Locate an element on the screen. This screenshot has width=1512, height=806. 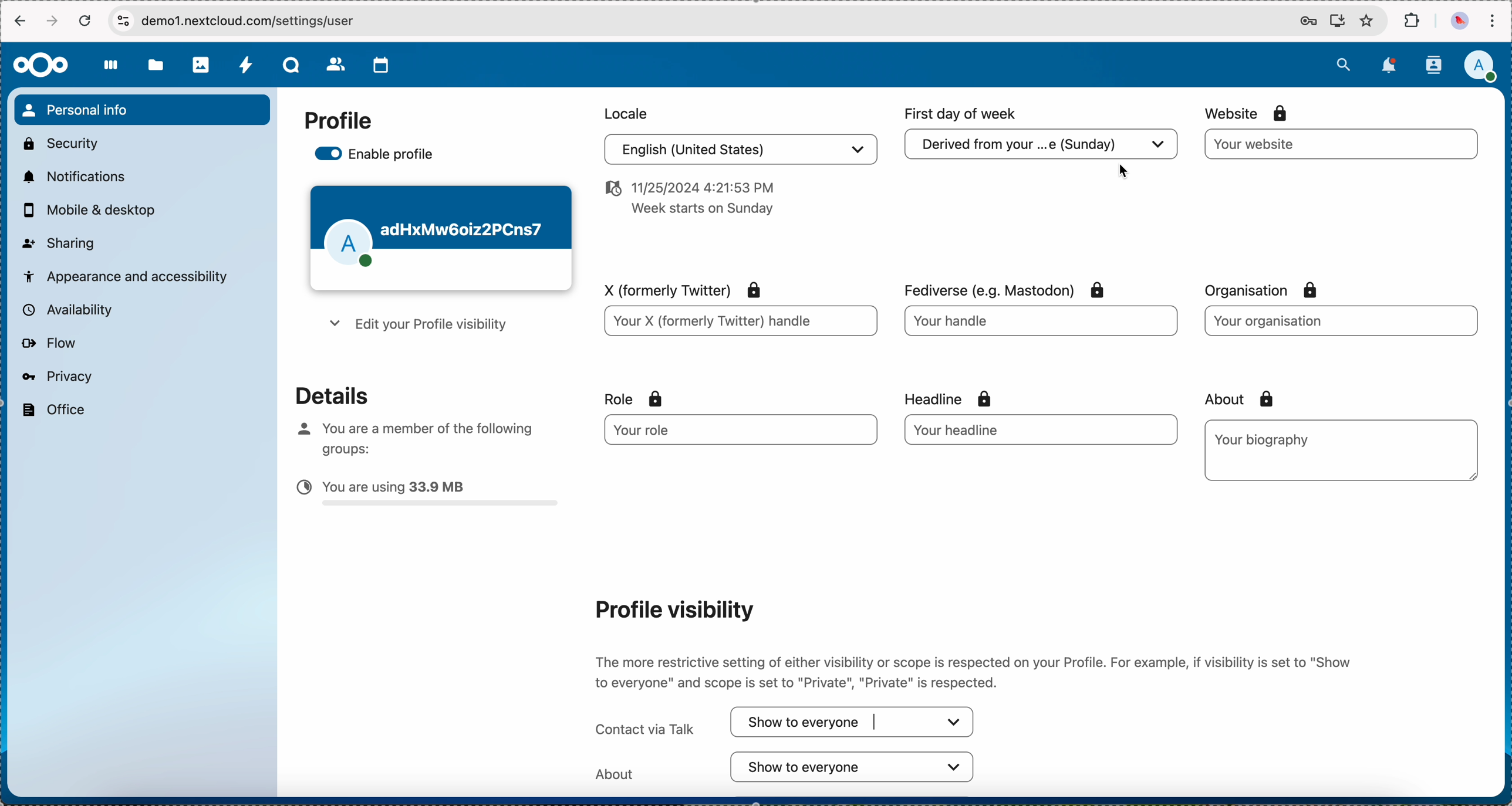
biography is located at coordinates (1265, 439).